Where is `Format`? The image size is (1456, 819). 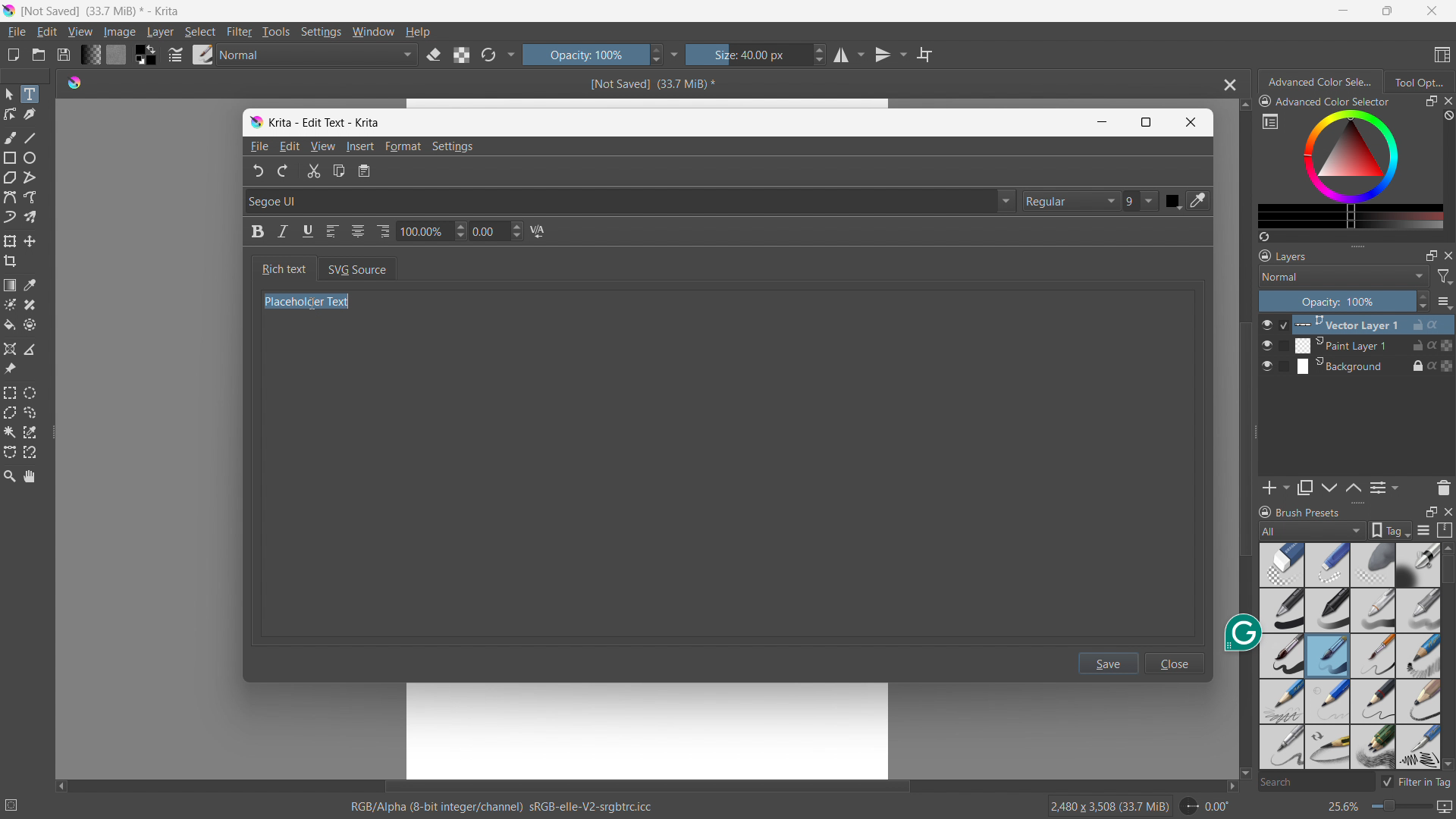 Format is located at coordinates (405, 147).